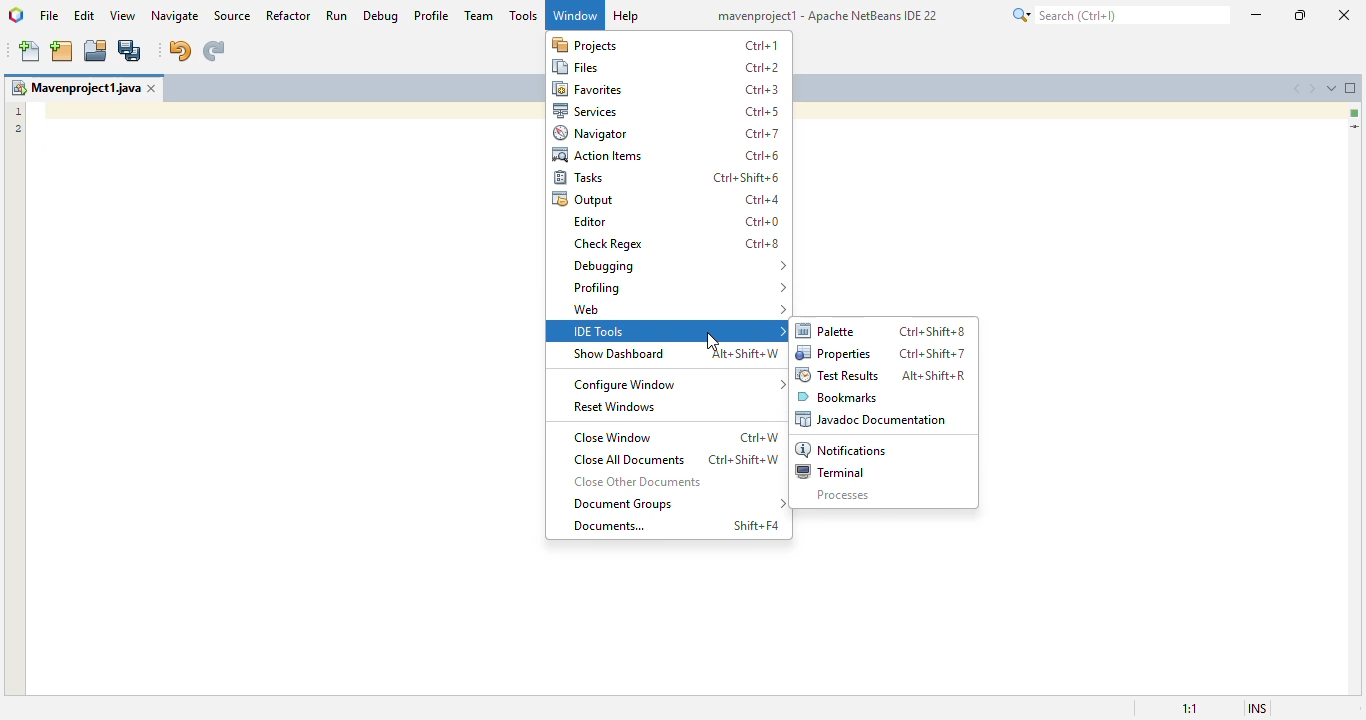 The width and height of the screenshot is (1366, 720). Describe the element at coordinates (674, 331) in the screenshot. I see `IDE tools` at that location.